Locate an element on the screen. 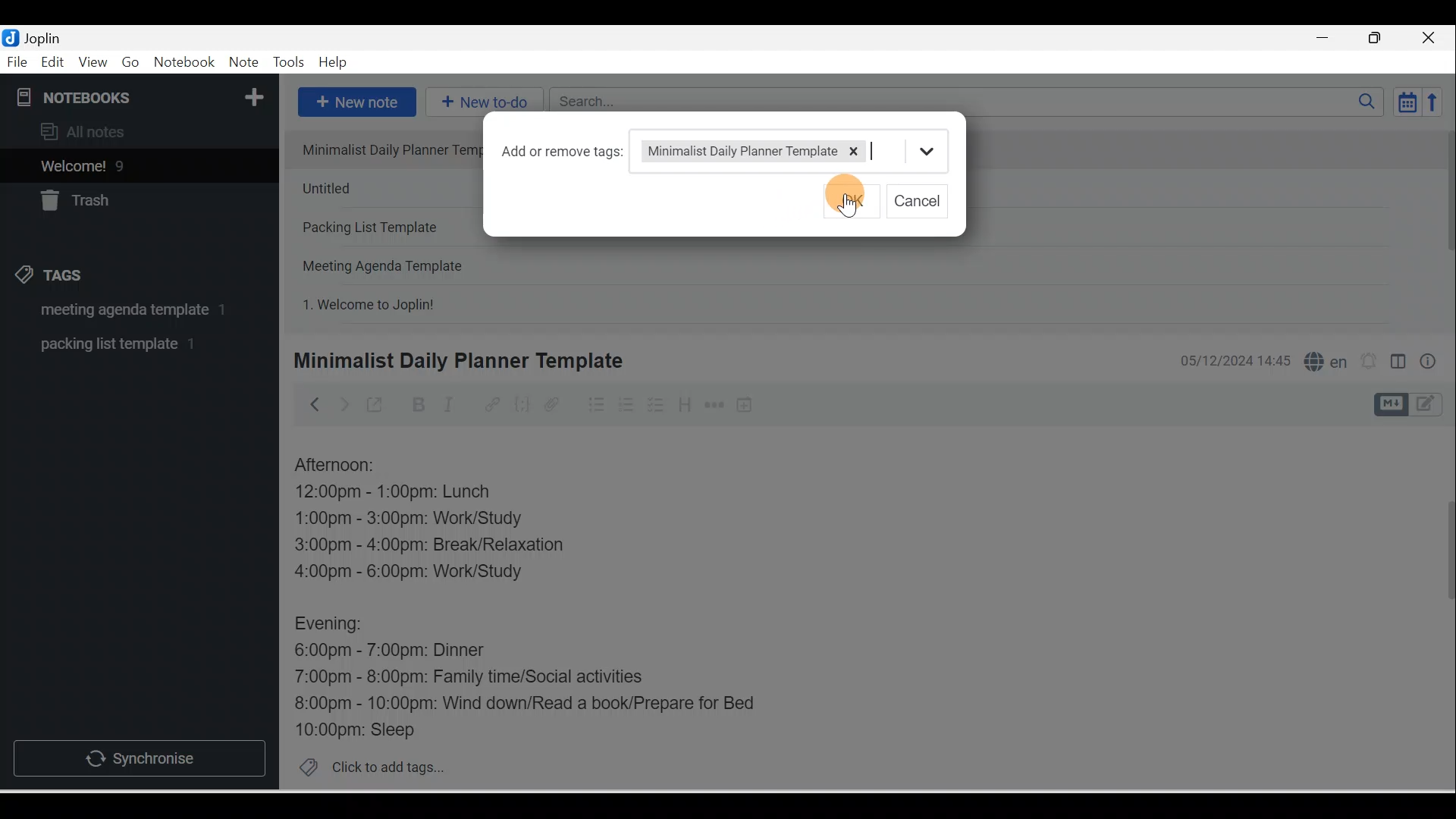  New note is located at coordinates (354, 103).